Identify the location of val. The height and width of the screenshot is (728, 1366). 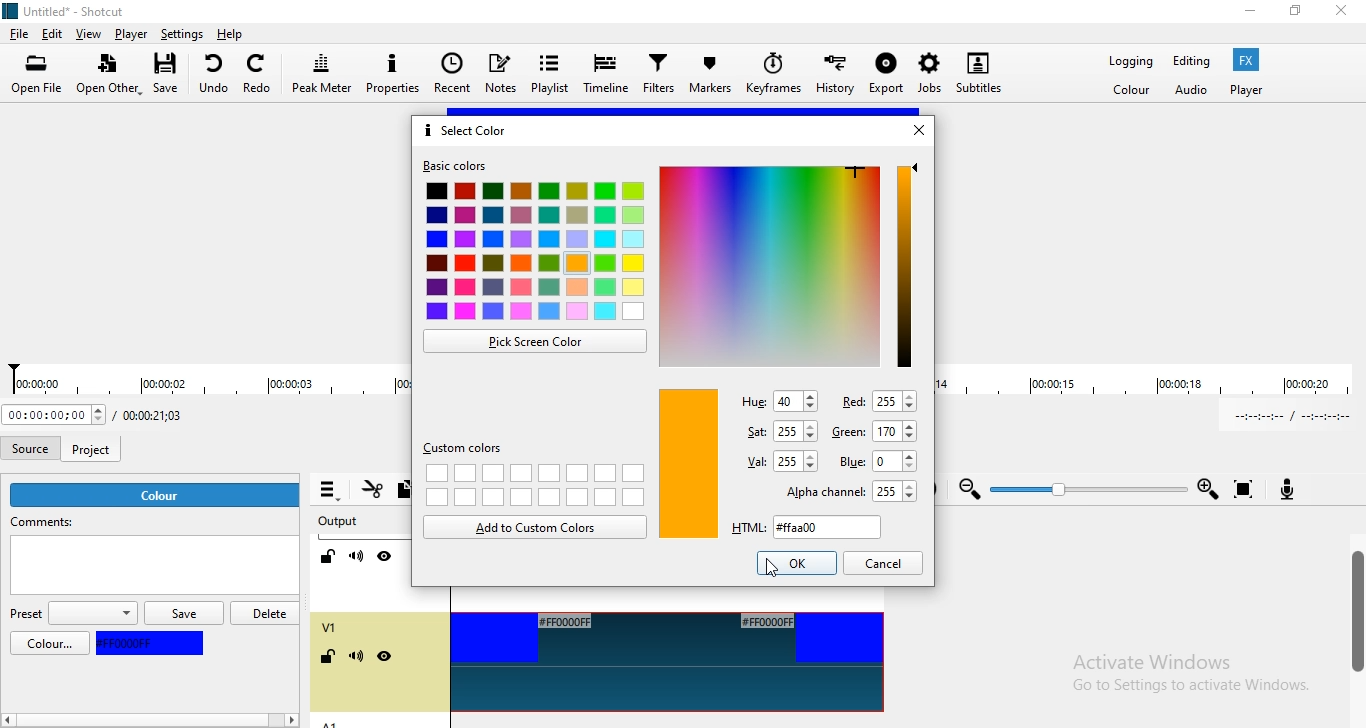
(779, 461).